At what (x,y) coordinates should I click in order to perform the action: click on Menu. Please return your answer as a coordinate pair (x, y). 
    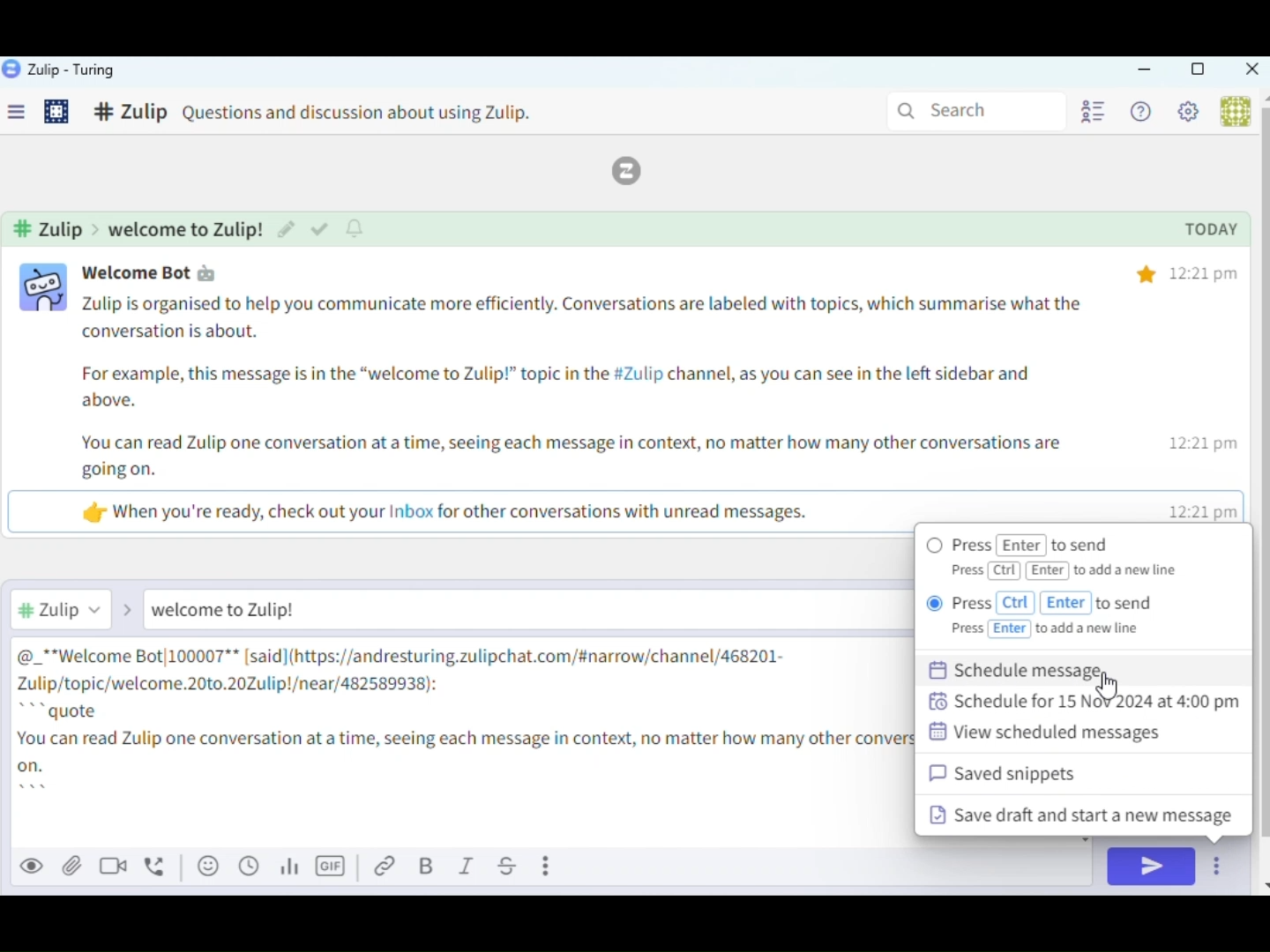
    Looking at the image, I should click on (23, 115).